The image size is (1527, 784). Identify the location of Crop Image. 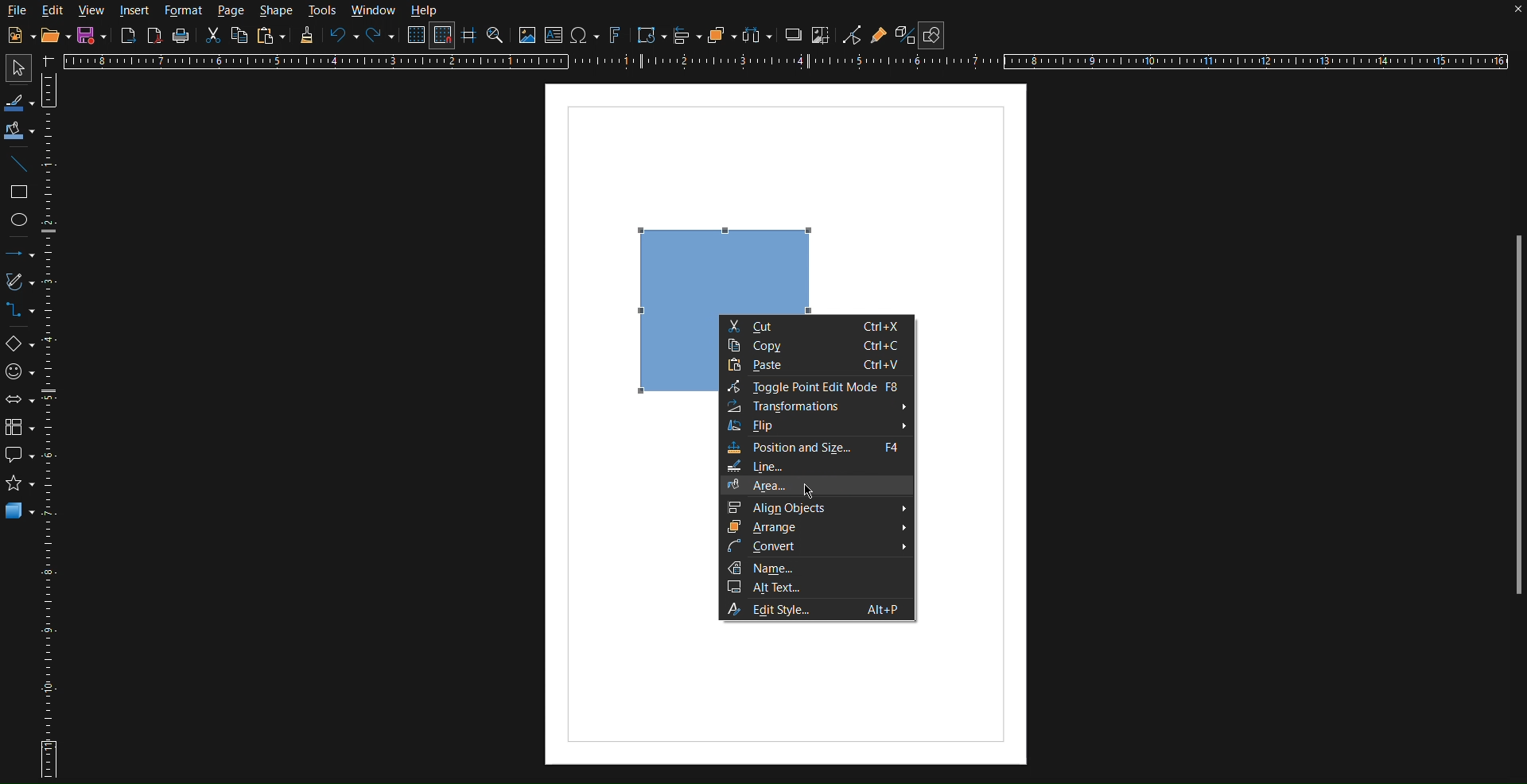
(822, 37).